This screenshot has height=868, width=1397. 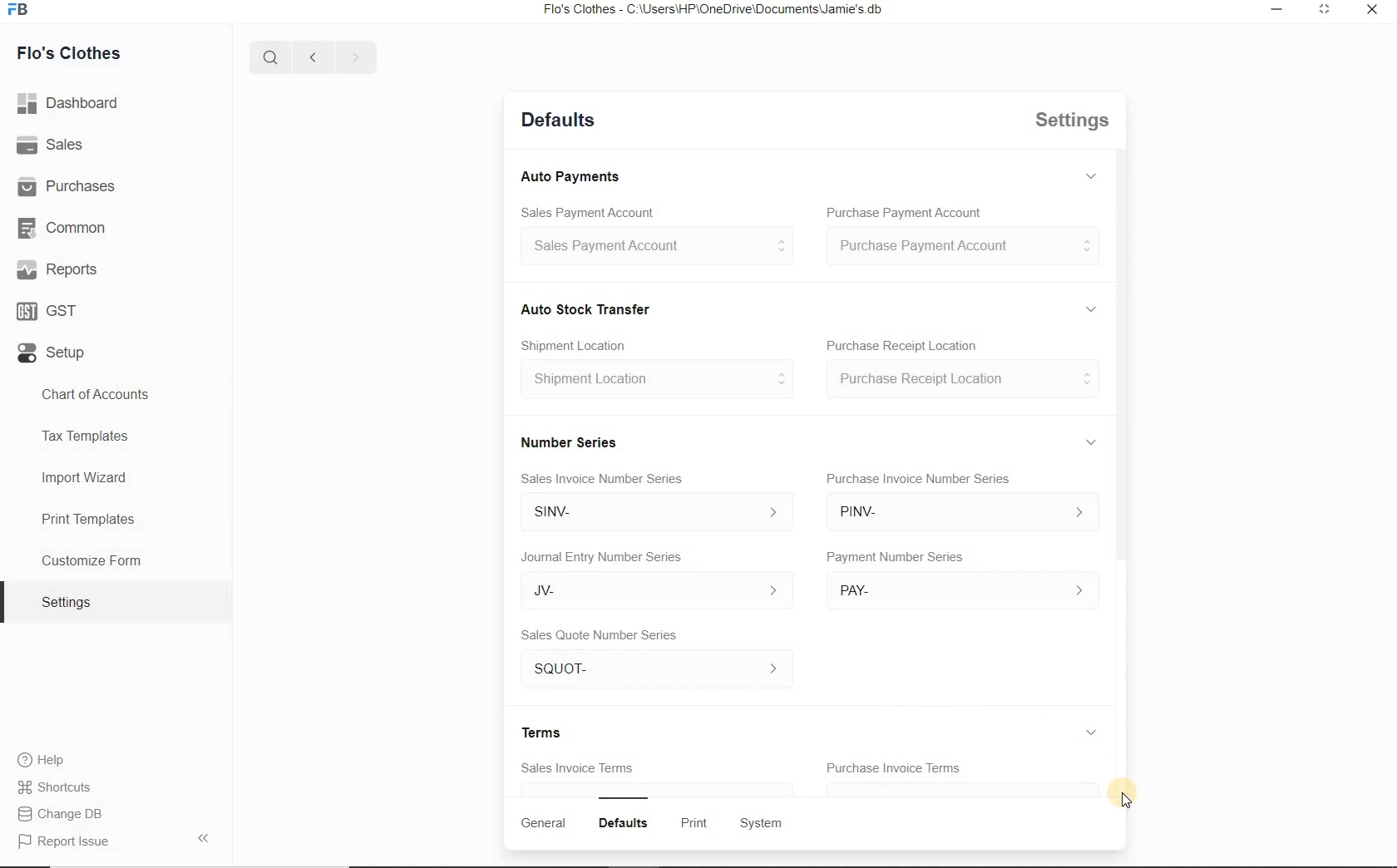 I want to click on Search, so click(x=271, y=56).